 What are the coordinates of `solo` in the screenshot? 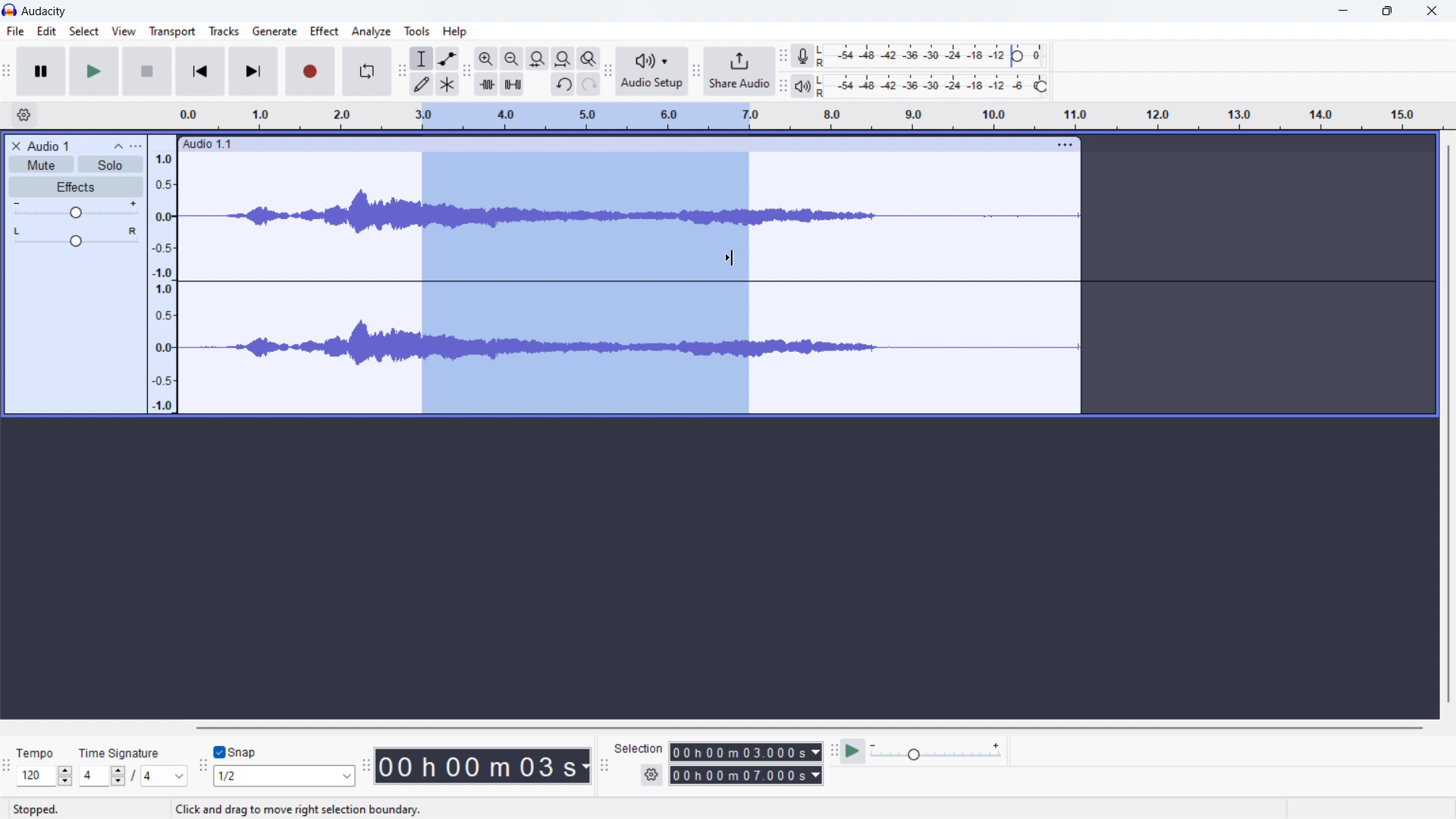 It's located at (108, 165).